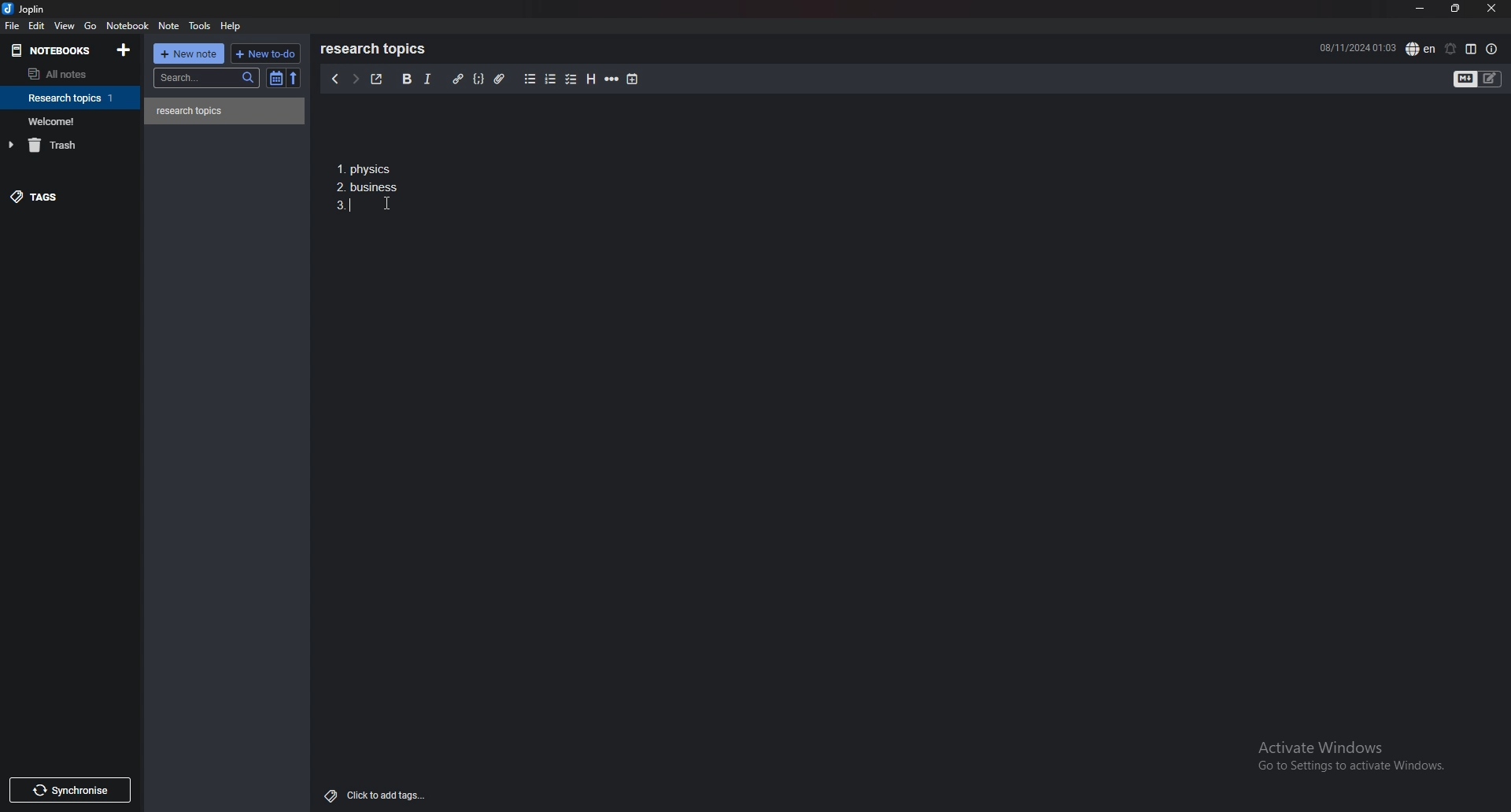 This screenshot has height=812, width=1511. I want to click on code, so click(479, 78).